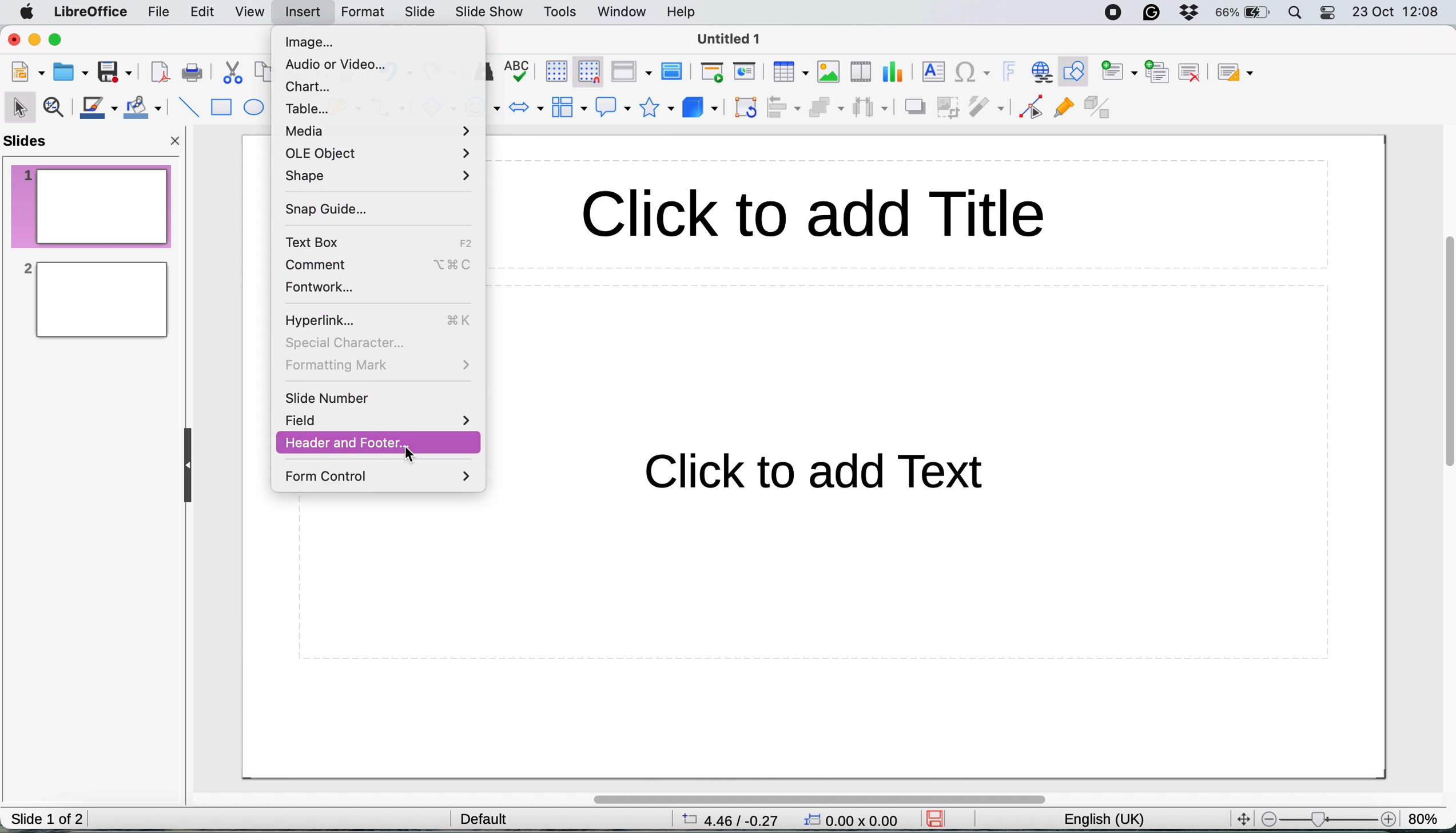 The height and width of the screenshot is (833, 1456). What do you see at coordinates (785, 108) in the screenshot?
I see `align objects` at bounding box center [785, 108].